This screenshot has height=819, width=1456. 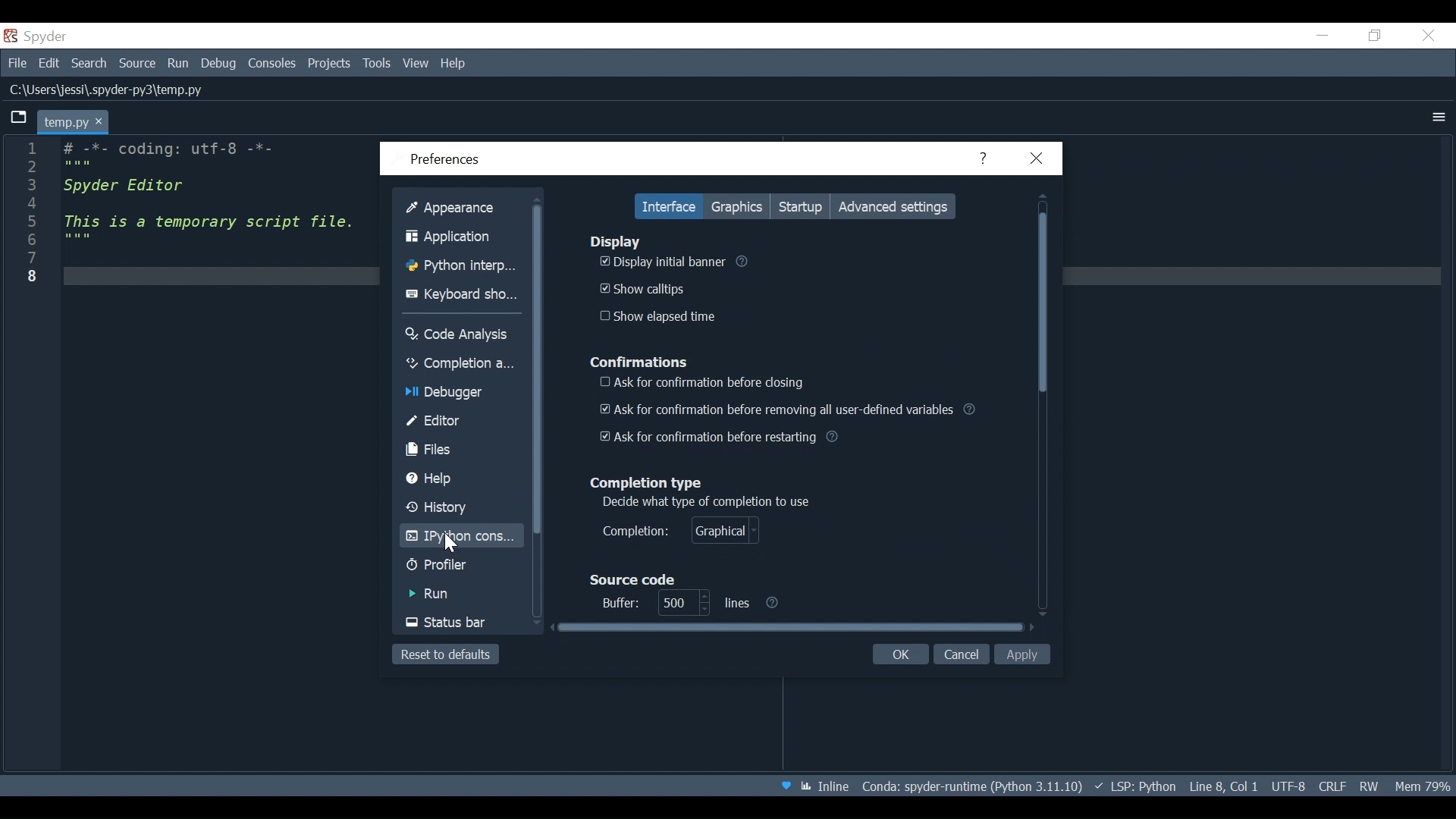 I want to click on Help, so click(x=989, y=159).